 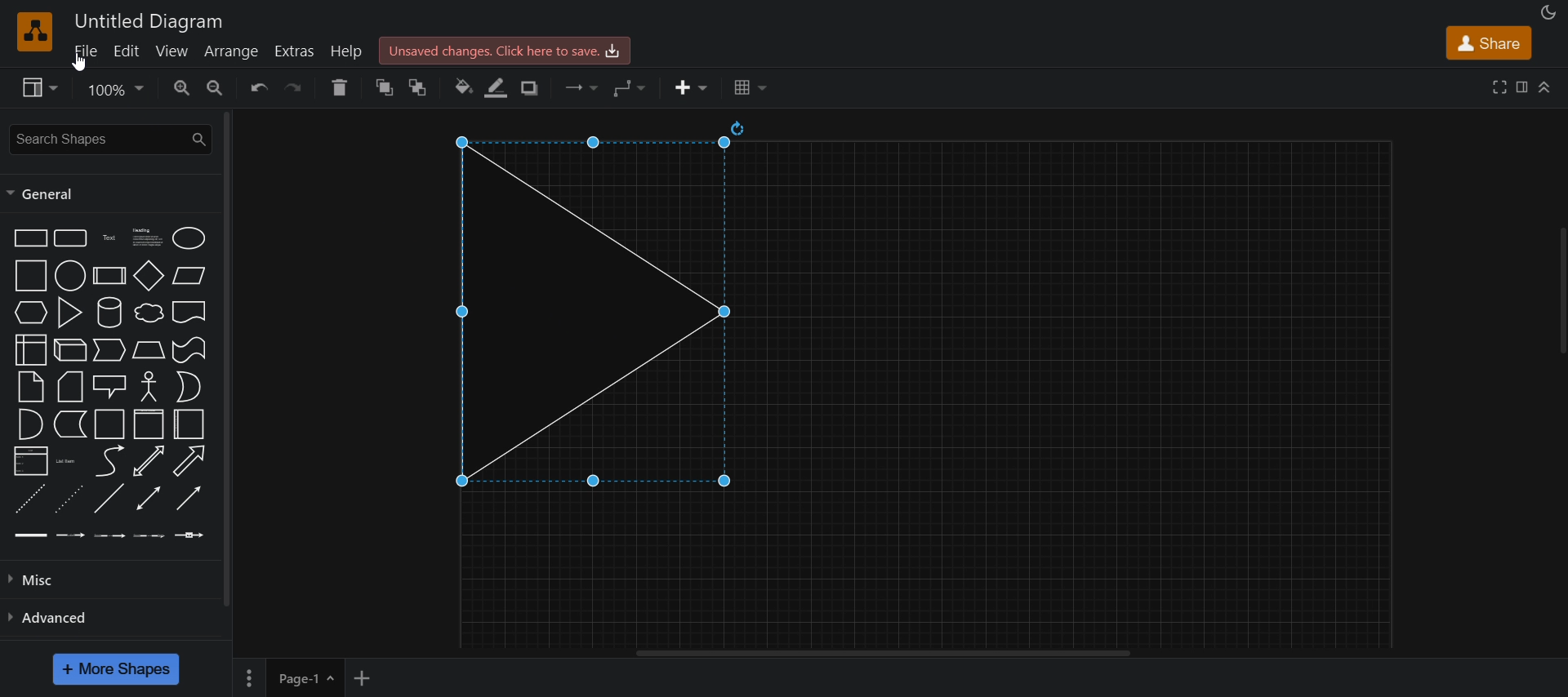 I want to click on zoom, so click(x=118, y=90).